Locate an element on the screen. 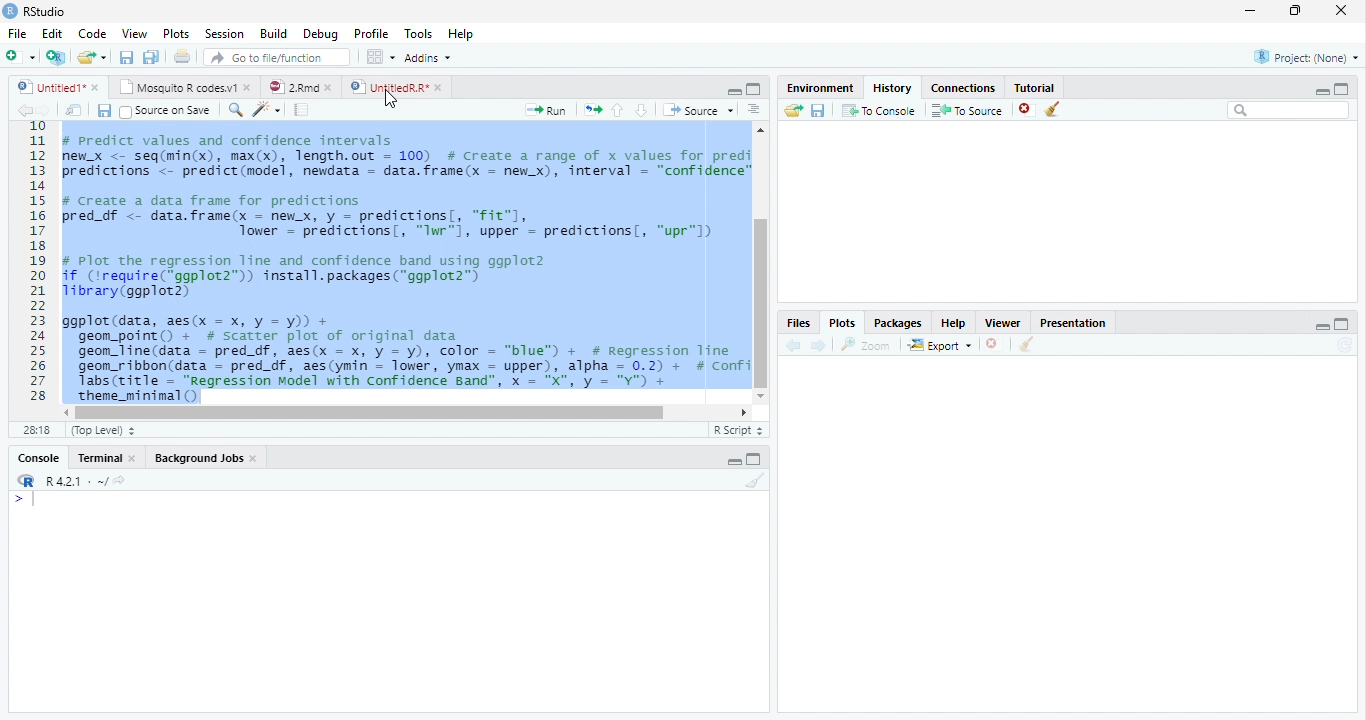  Zoom is located at coordinates (865, 346).